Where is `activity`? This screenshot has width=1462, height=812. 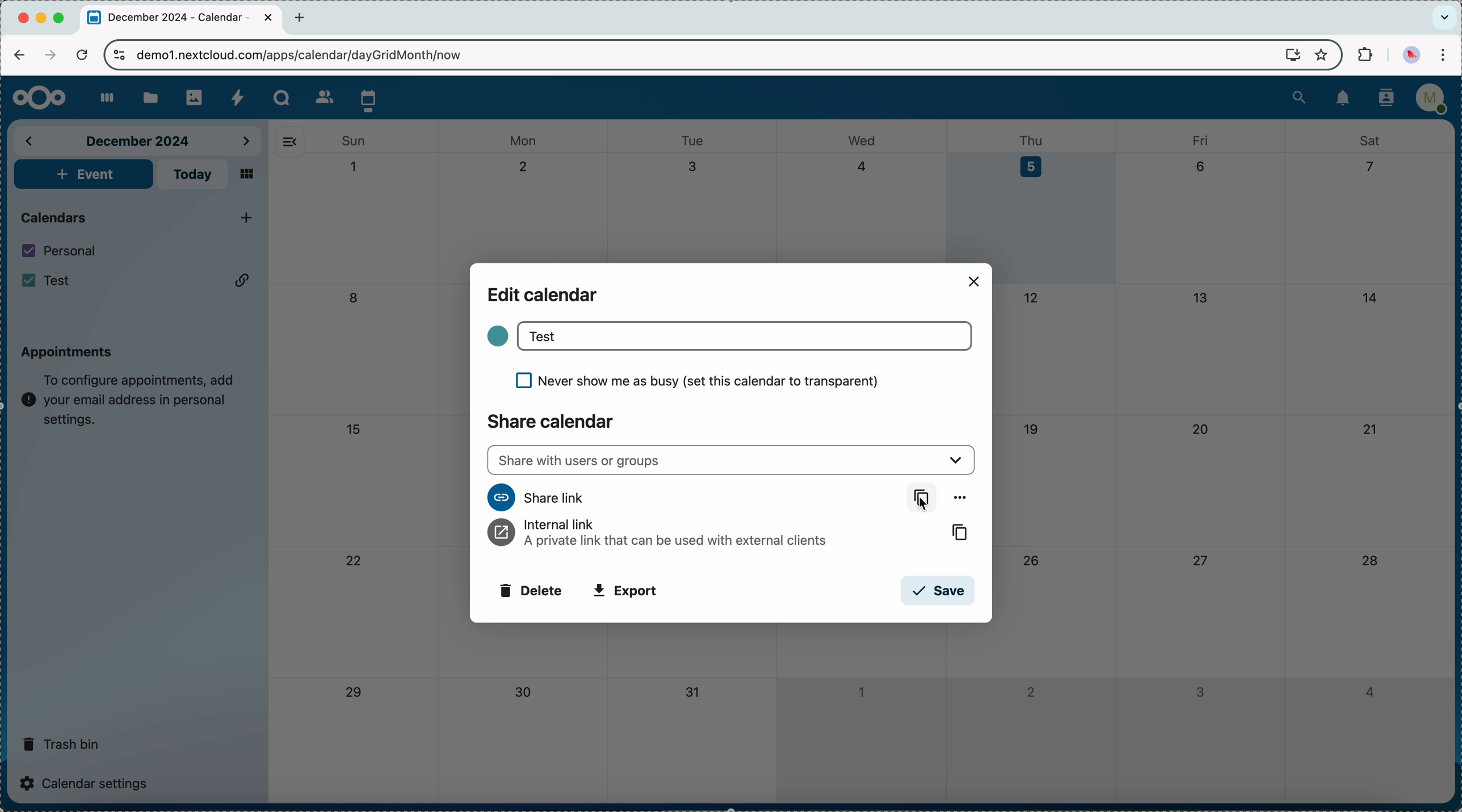 activity is located at coordinates (238, 97).